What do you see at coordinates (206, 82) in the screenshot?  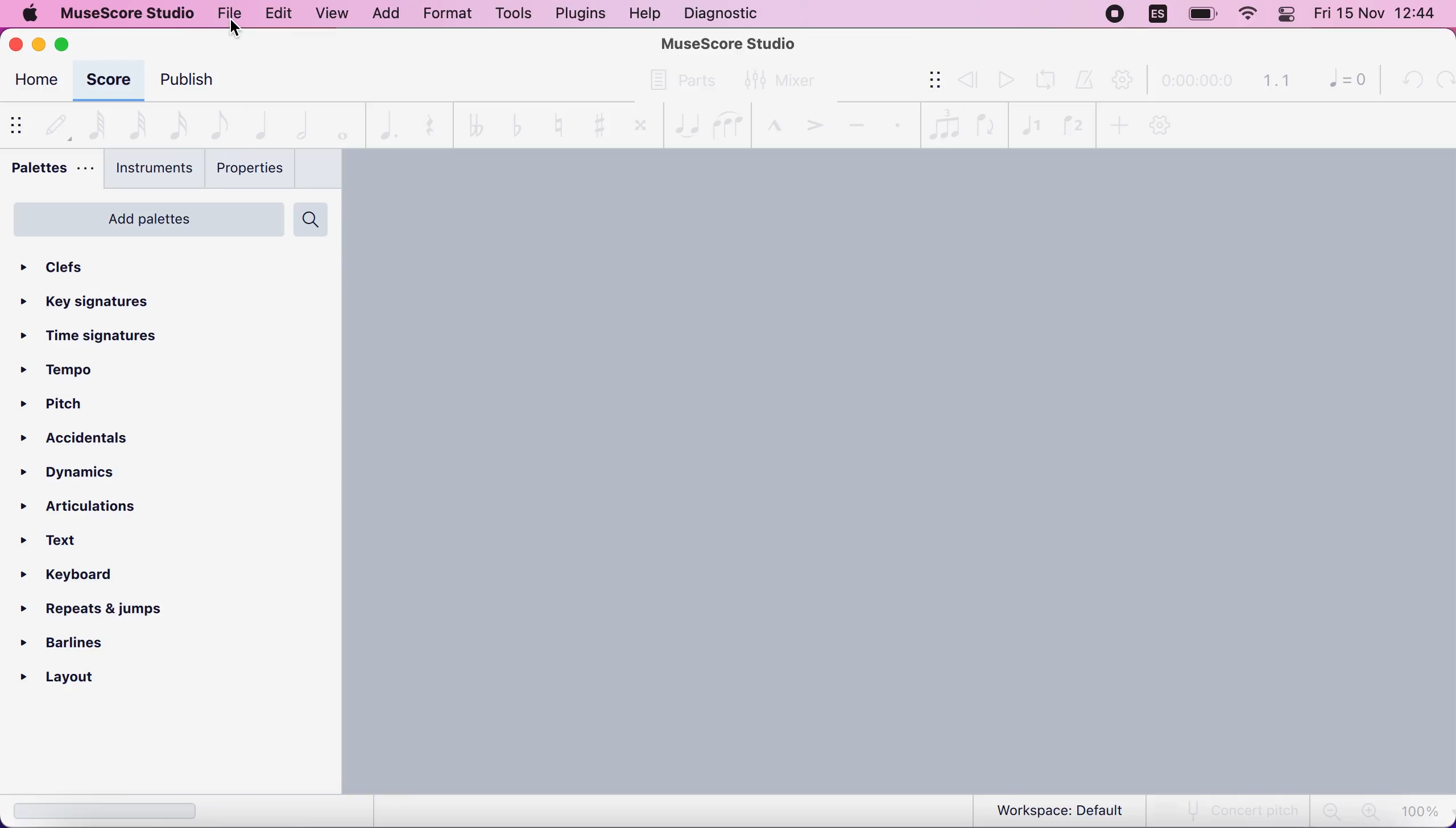 I see `publish` at bounding box center [206, 82].